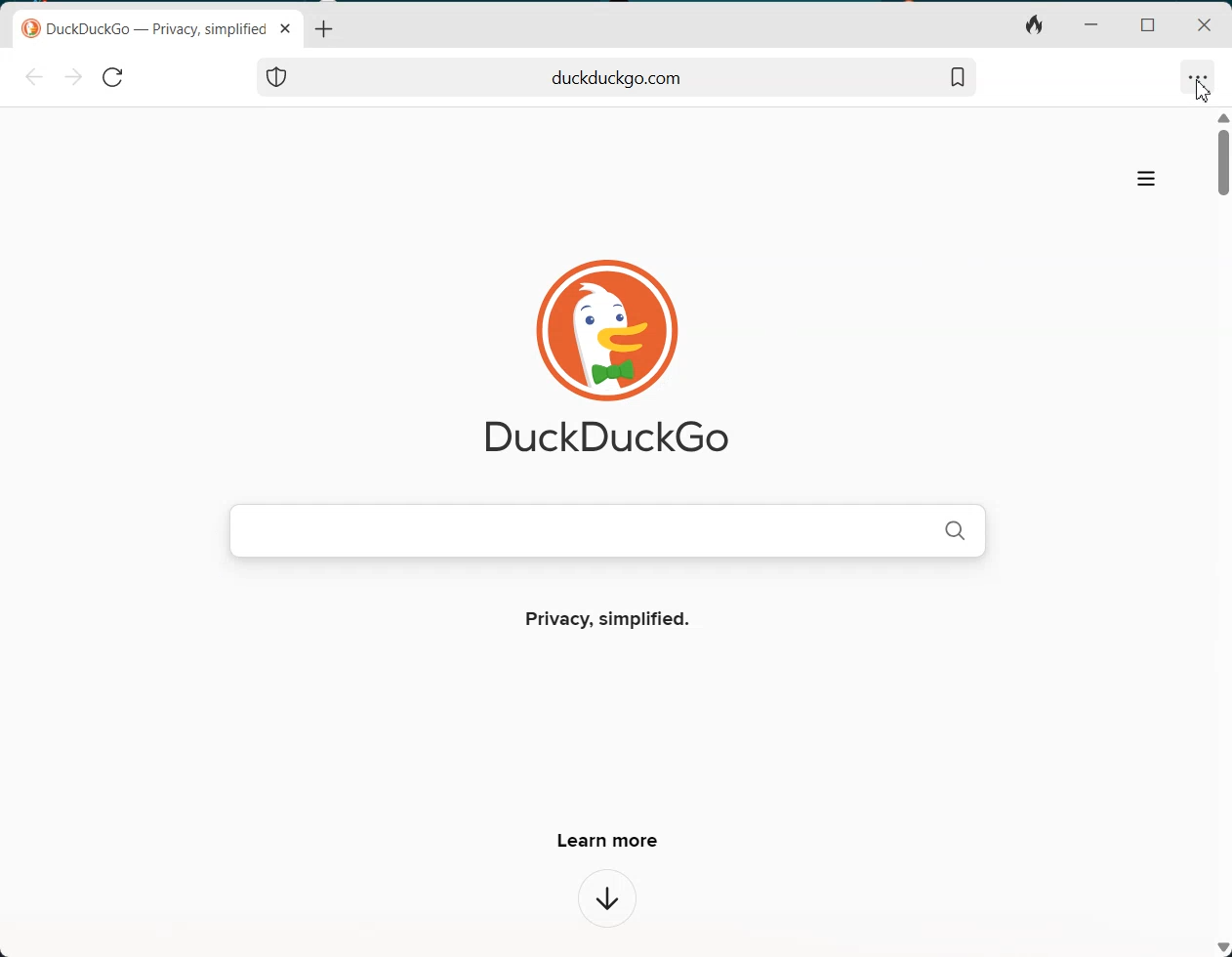 This screenshot has height=957, width=1232. Describe the element at coordinates (605, 840) in the screenshot. I see `Learn more` at that location.